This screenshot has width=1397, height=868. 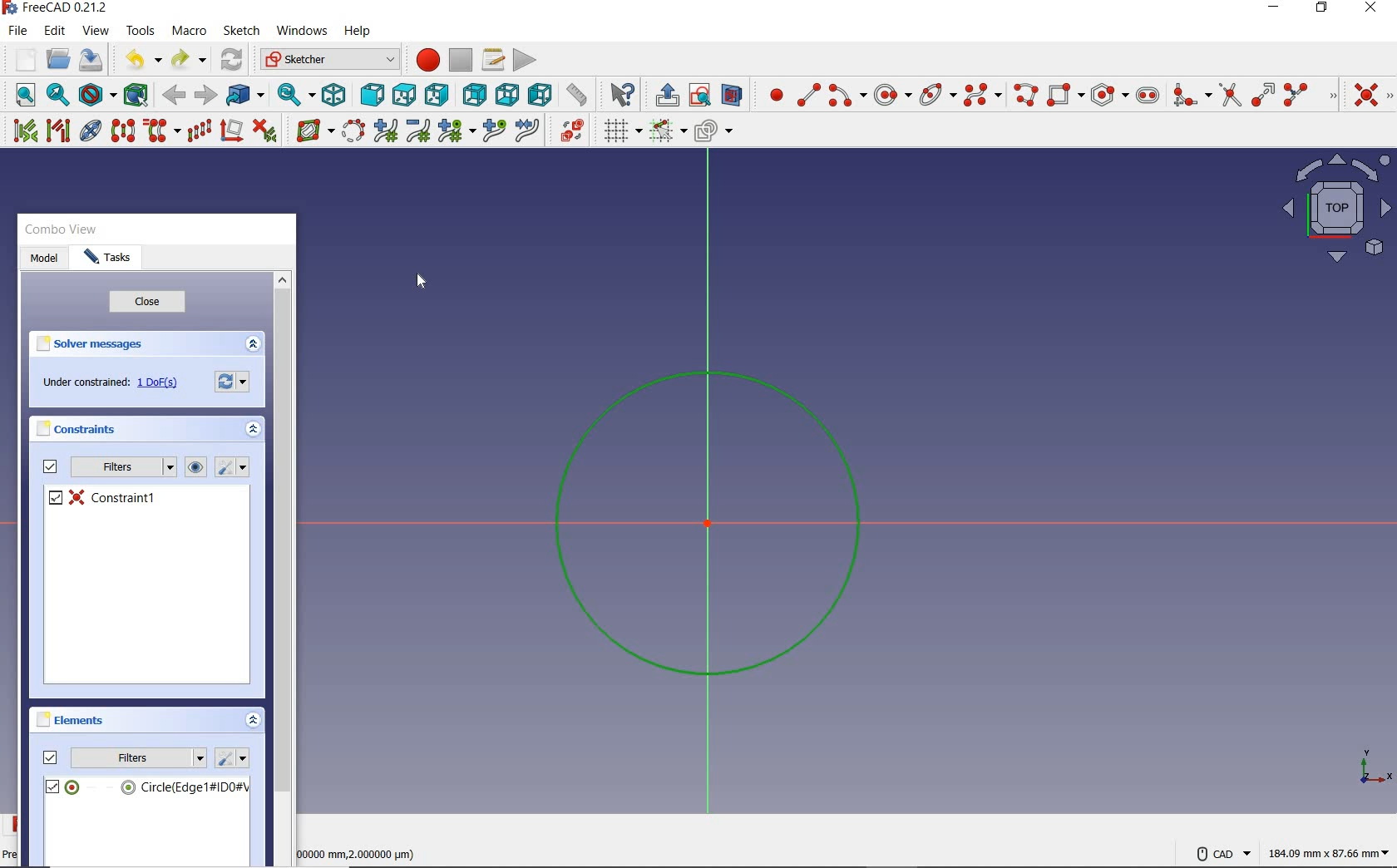 What do you see at coordinates (1228, 95) in the screenshot?
I see `trim edge` at bounding box center [1228, 95].